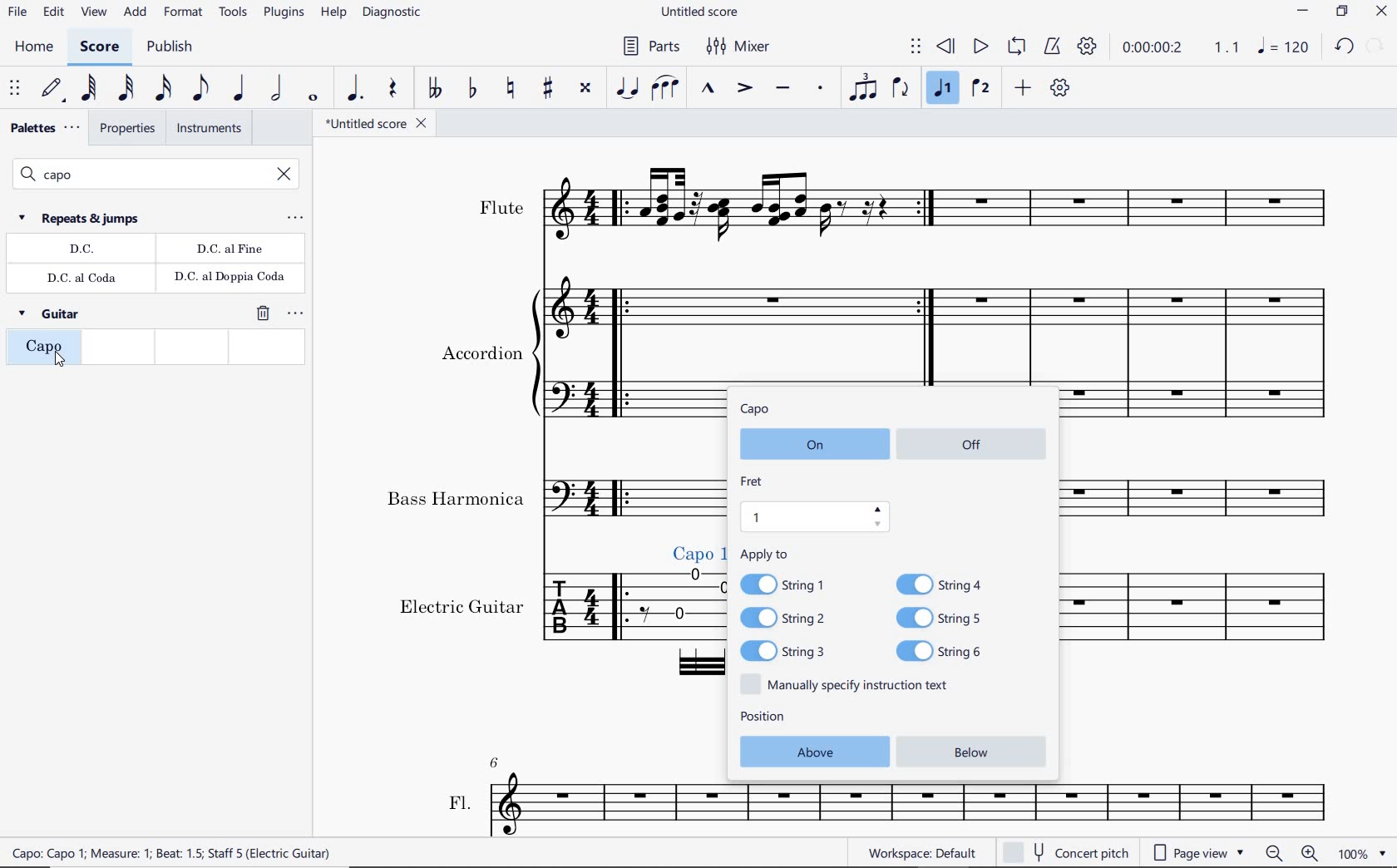 Image resolution: width=1397 pixels, height=868 pixels. I want to click on mixer, so click(739, 45).